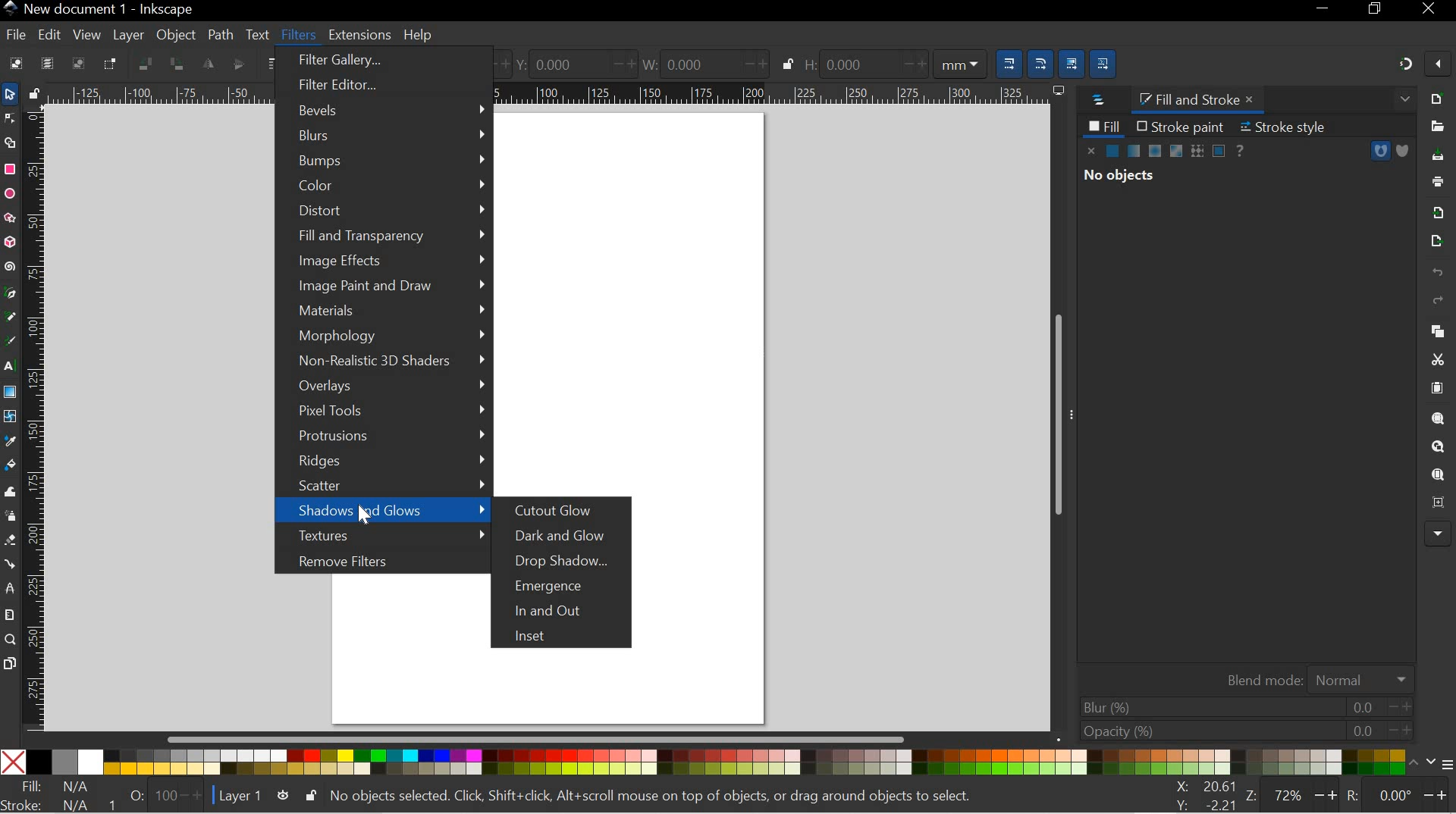  What do you see at coordinates (1323, 11) in the screenshot?
I see `MINIMIZE` at bounding box center [1323, 11].